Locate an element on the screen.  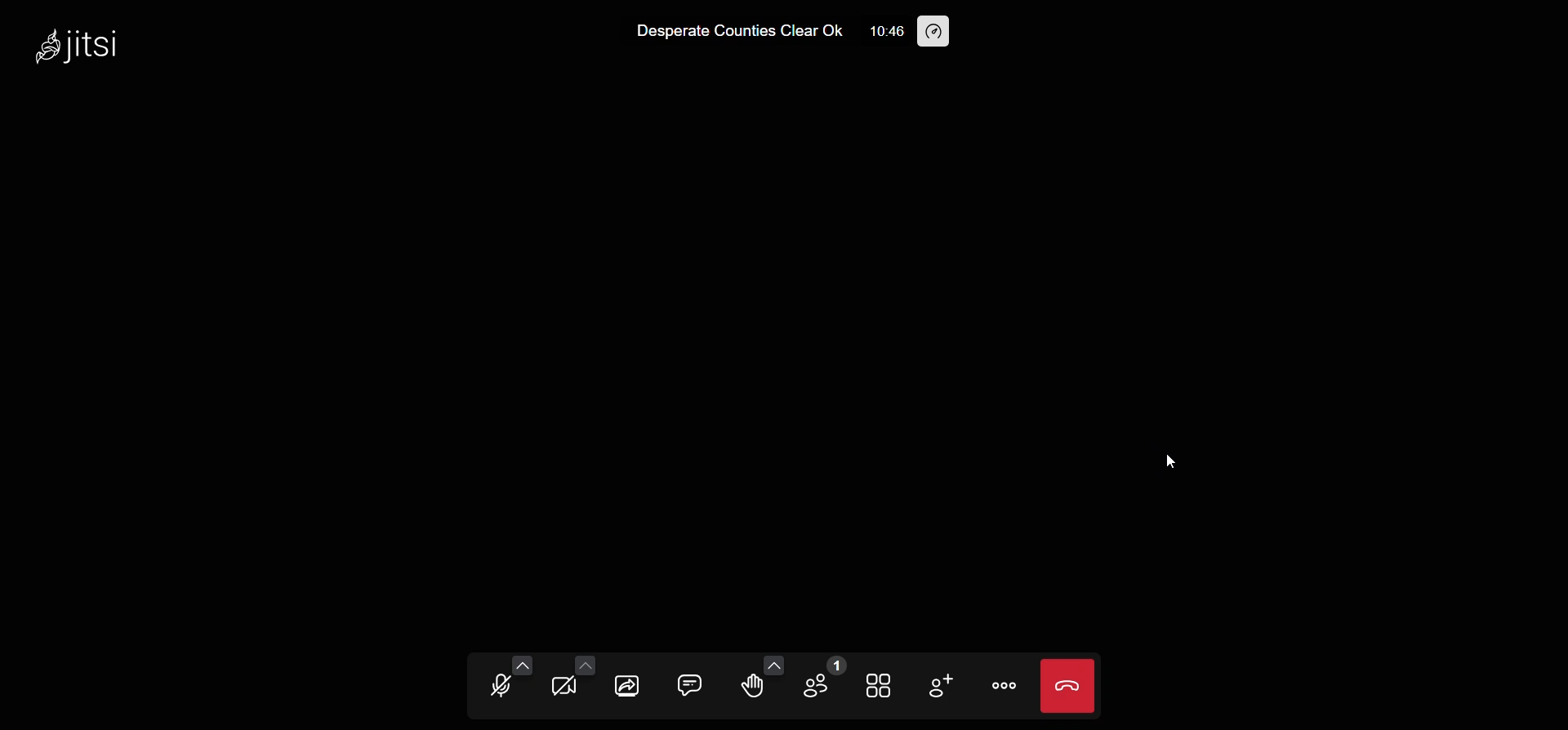
screen share is located at coordinates (627, 688).